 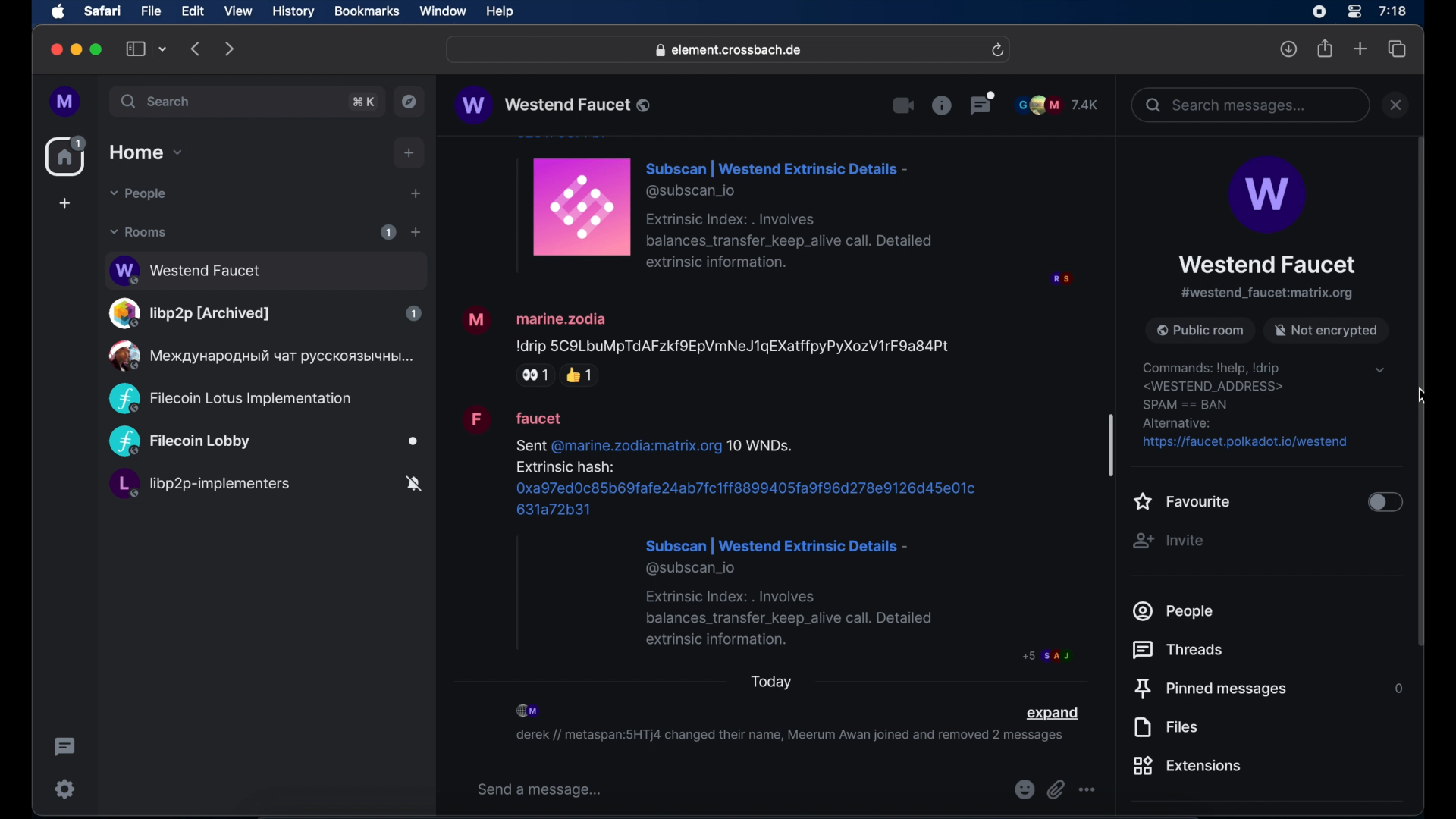 I want to click on extensions, so click(x=1188, y=765).